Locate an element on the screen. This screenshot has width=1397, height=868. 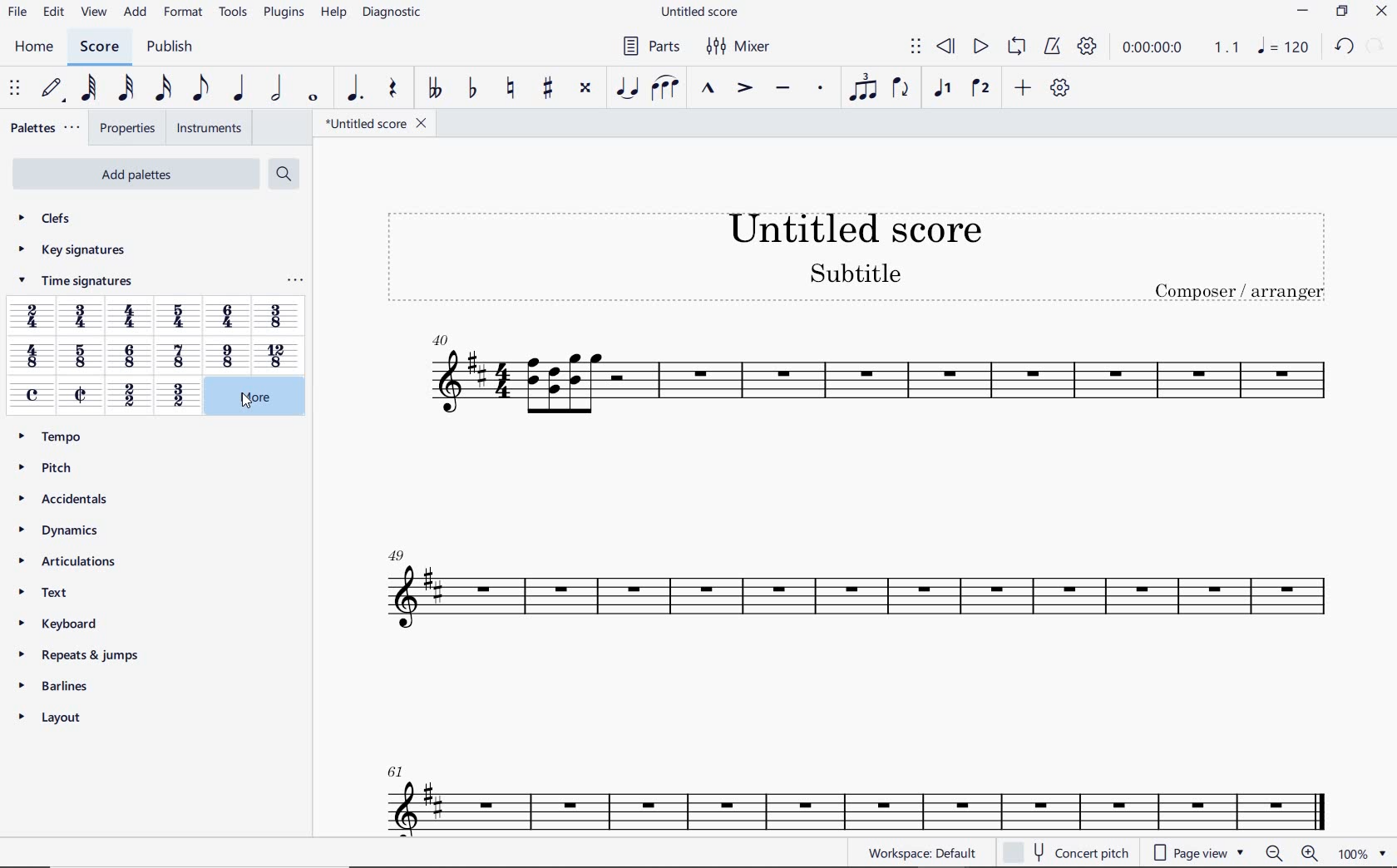
TOOLS is located at coordinates (230, 12).